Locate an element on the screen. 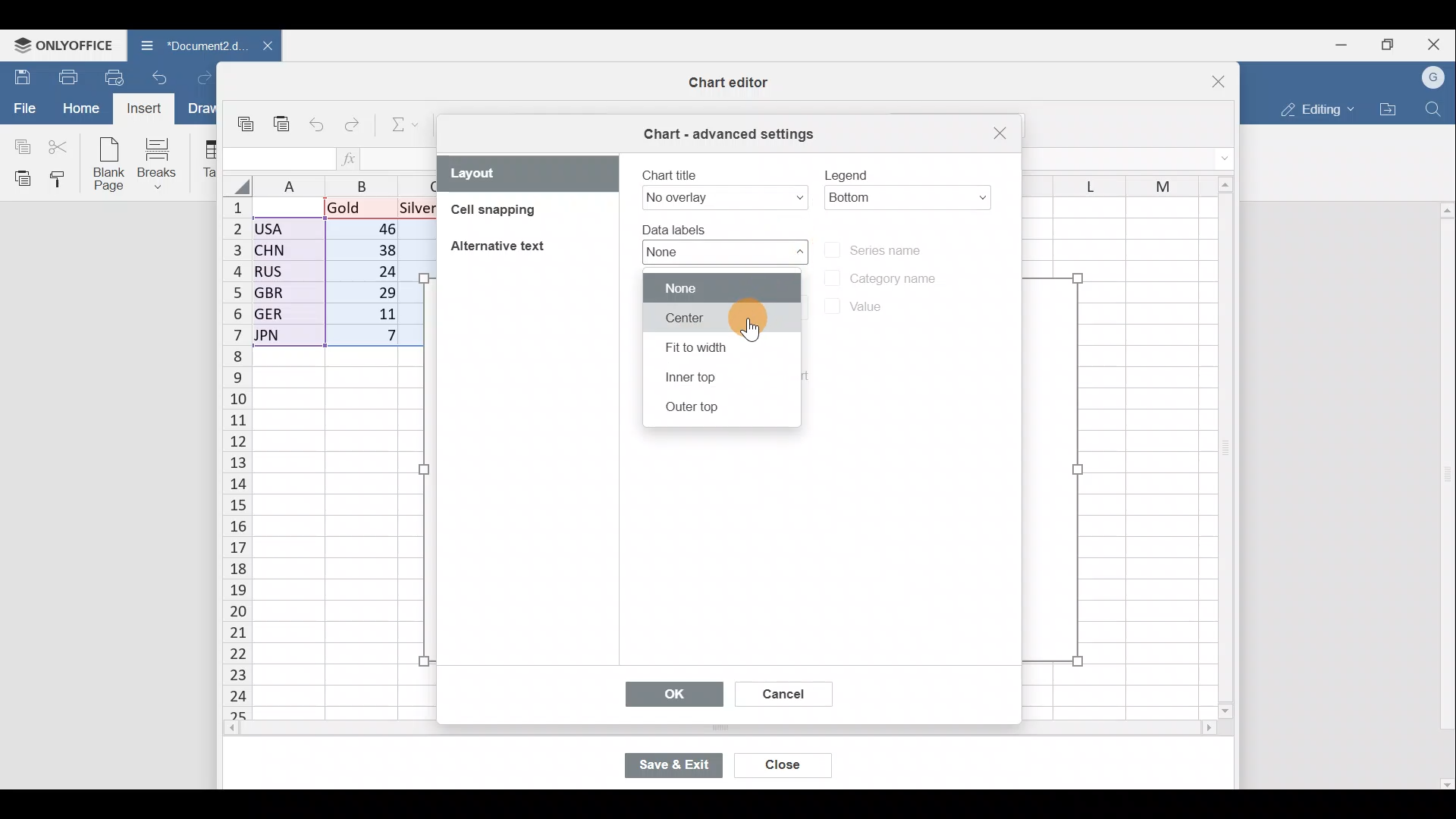 The width and height of the screenshot is (1456, 819). Find is located at coordinates (1436, 106).